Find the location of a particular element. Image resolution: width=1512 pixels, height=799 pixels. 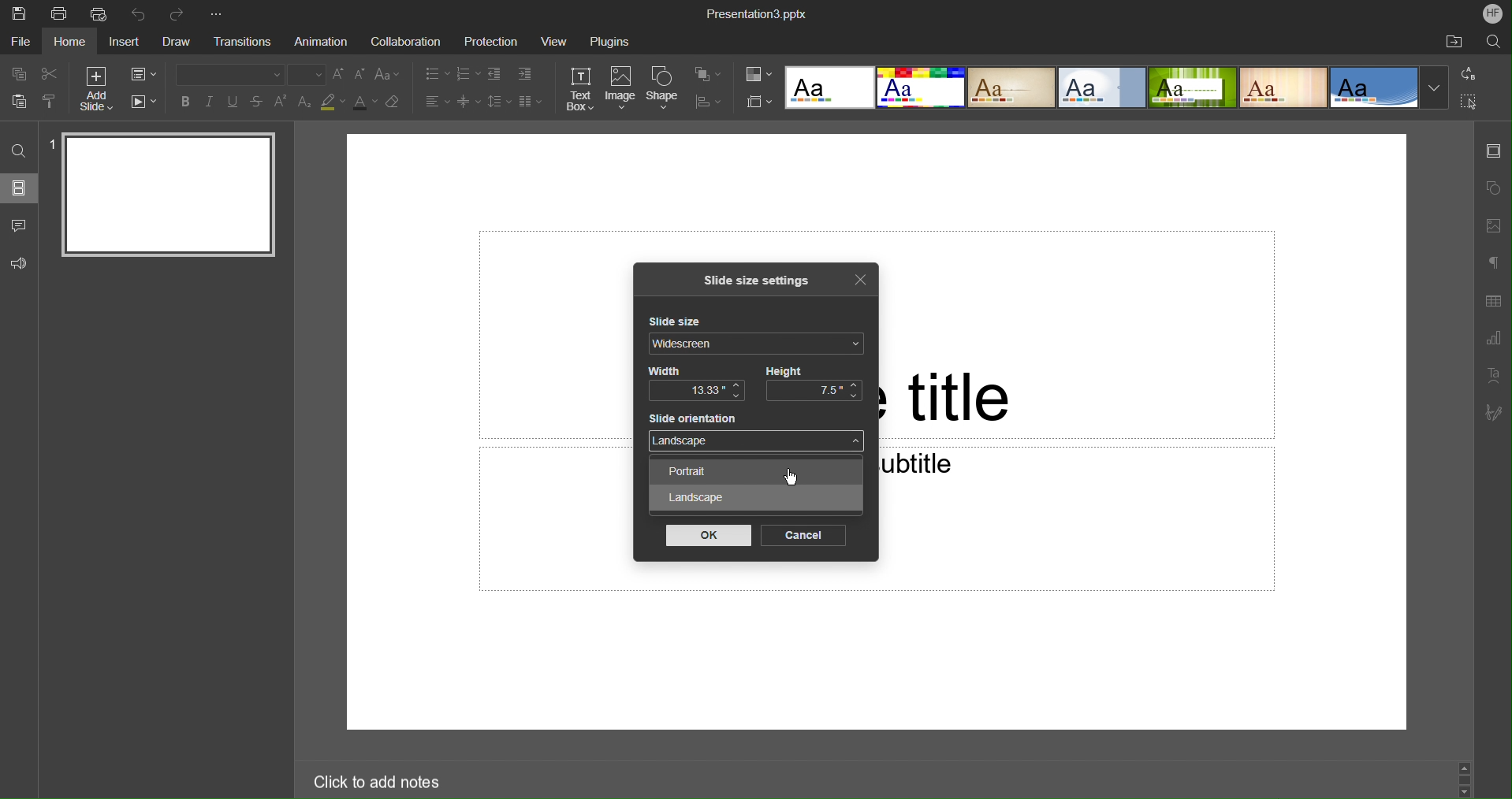

Arrange is located at coordinates (707, 75).